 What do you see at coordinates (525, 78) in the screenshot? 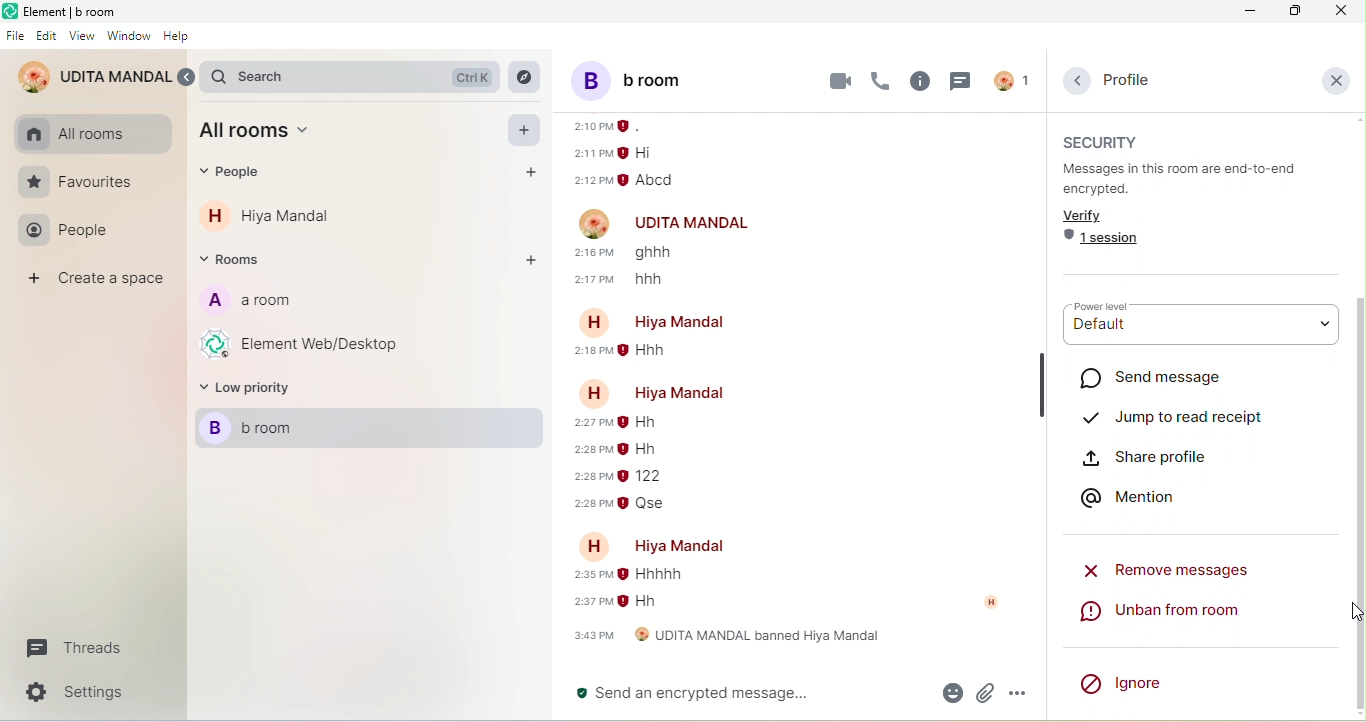
I see `explore` at bounding box center [525, 78].